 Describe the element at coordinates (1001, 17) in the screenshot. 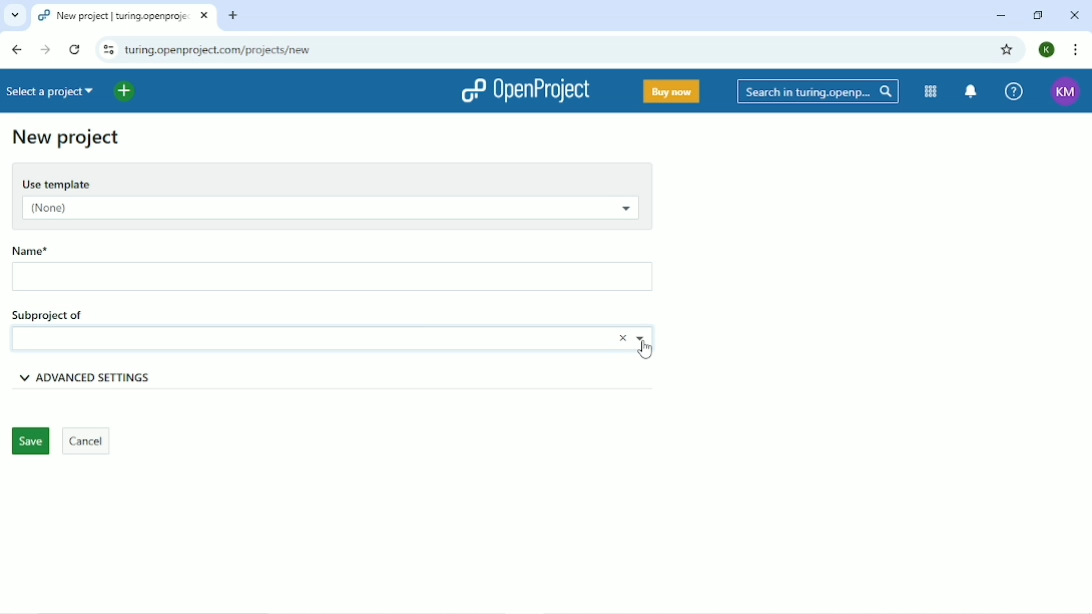

I see `Minimize` at that location.